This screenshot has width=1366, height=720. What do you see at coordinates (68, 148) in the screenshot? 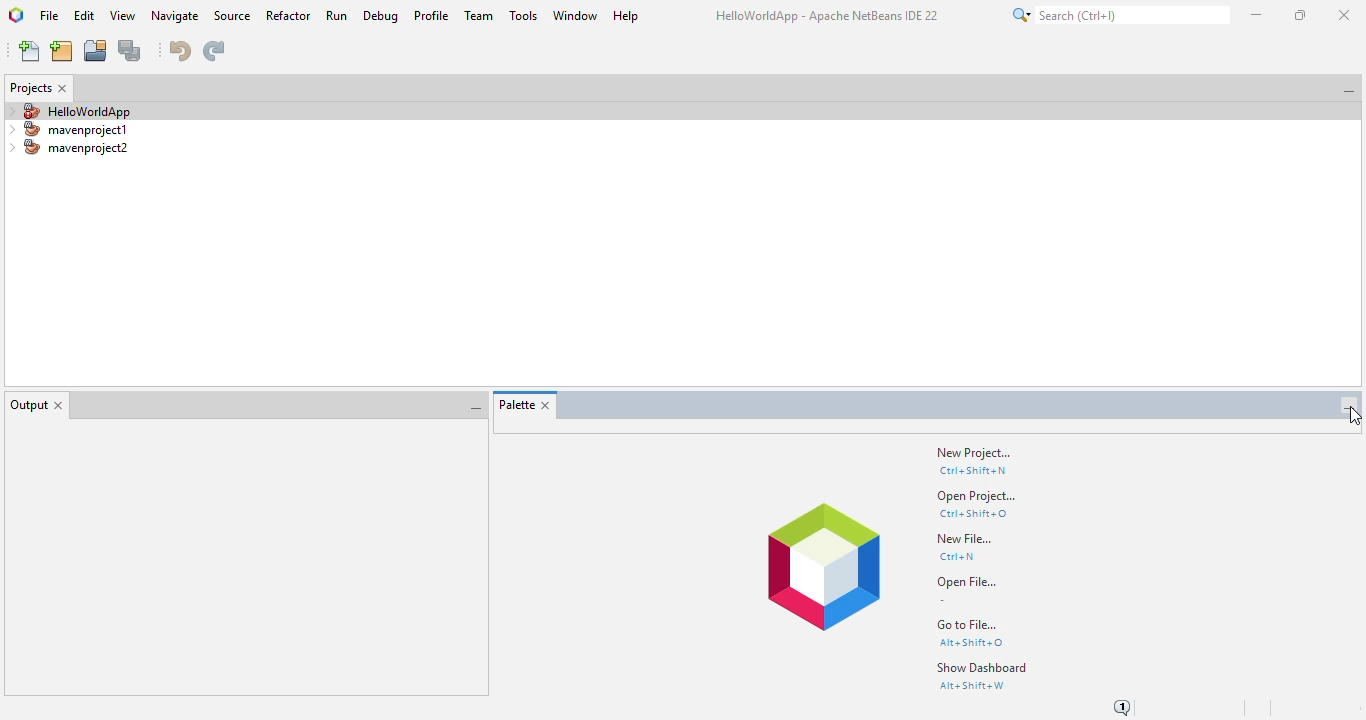
I see `mavenproject2` at bounding box center [68, 148].